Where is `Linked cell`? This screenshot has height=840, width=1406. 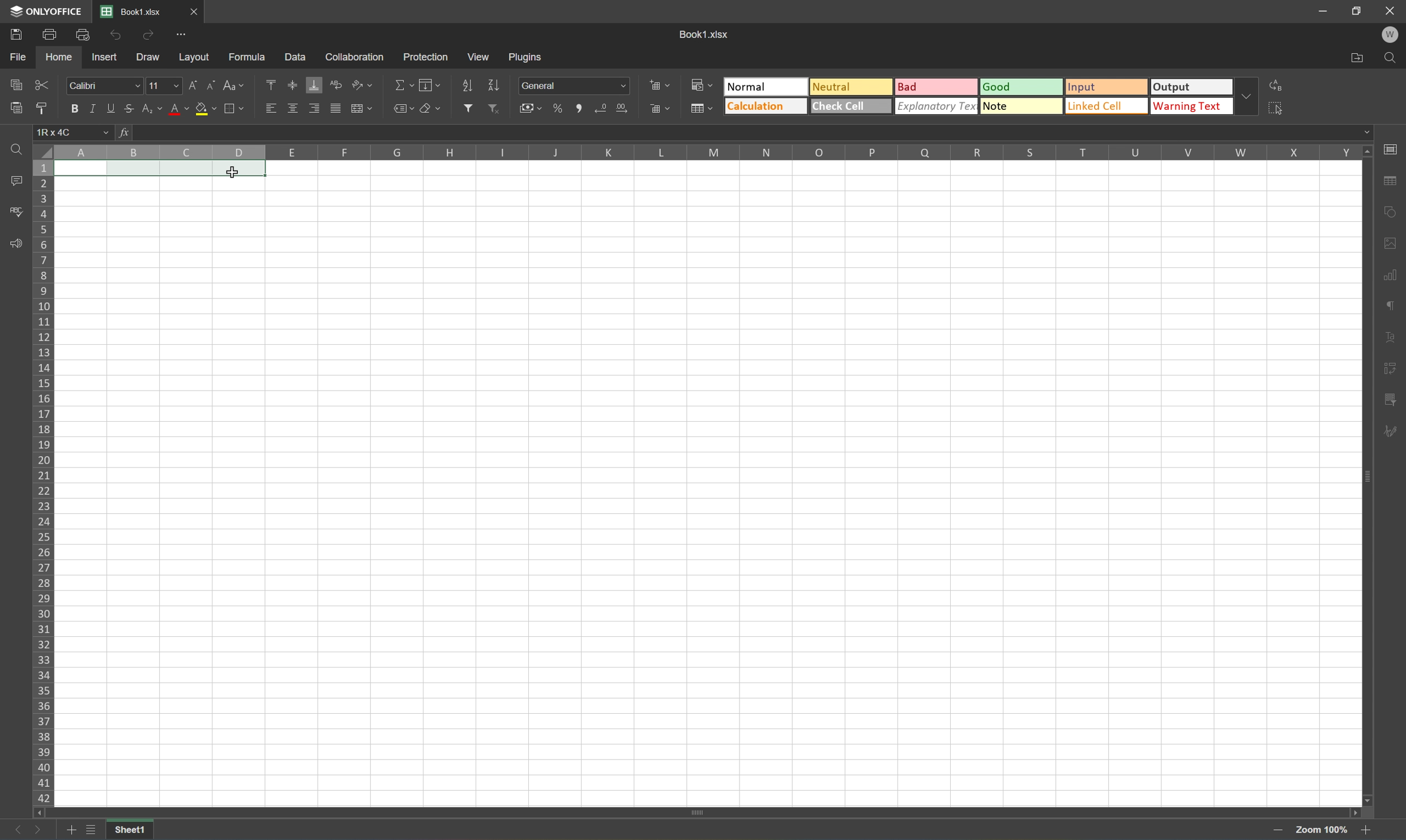
Linked cell is located at coordinates (1108, 106).